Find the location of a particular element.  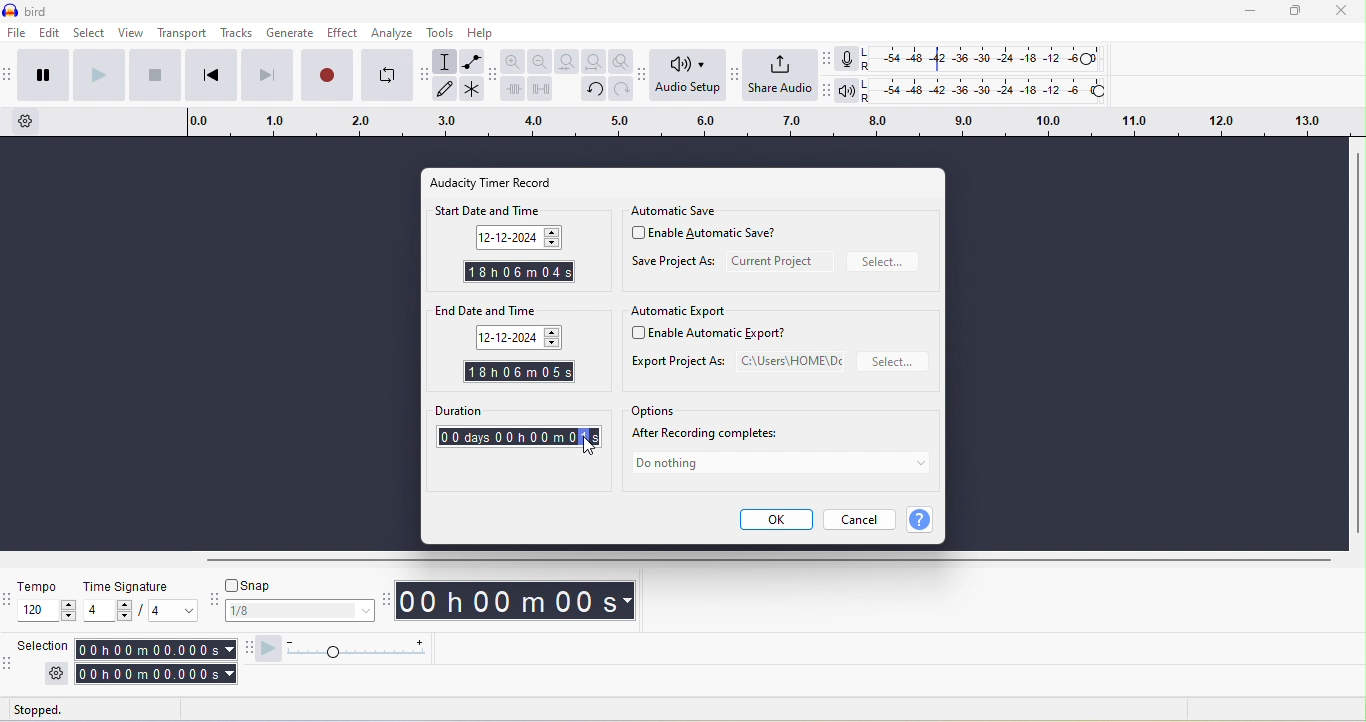

time is located at coordinates (521, 600).